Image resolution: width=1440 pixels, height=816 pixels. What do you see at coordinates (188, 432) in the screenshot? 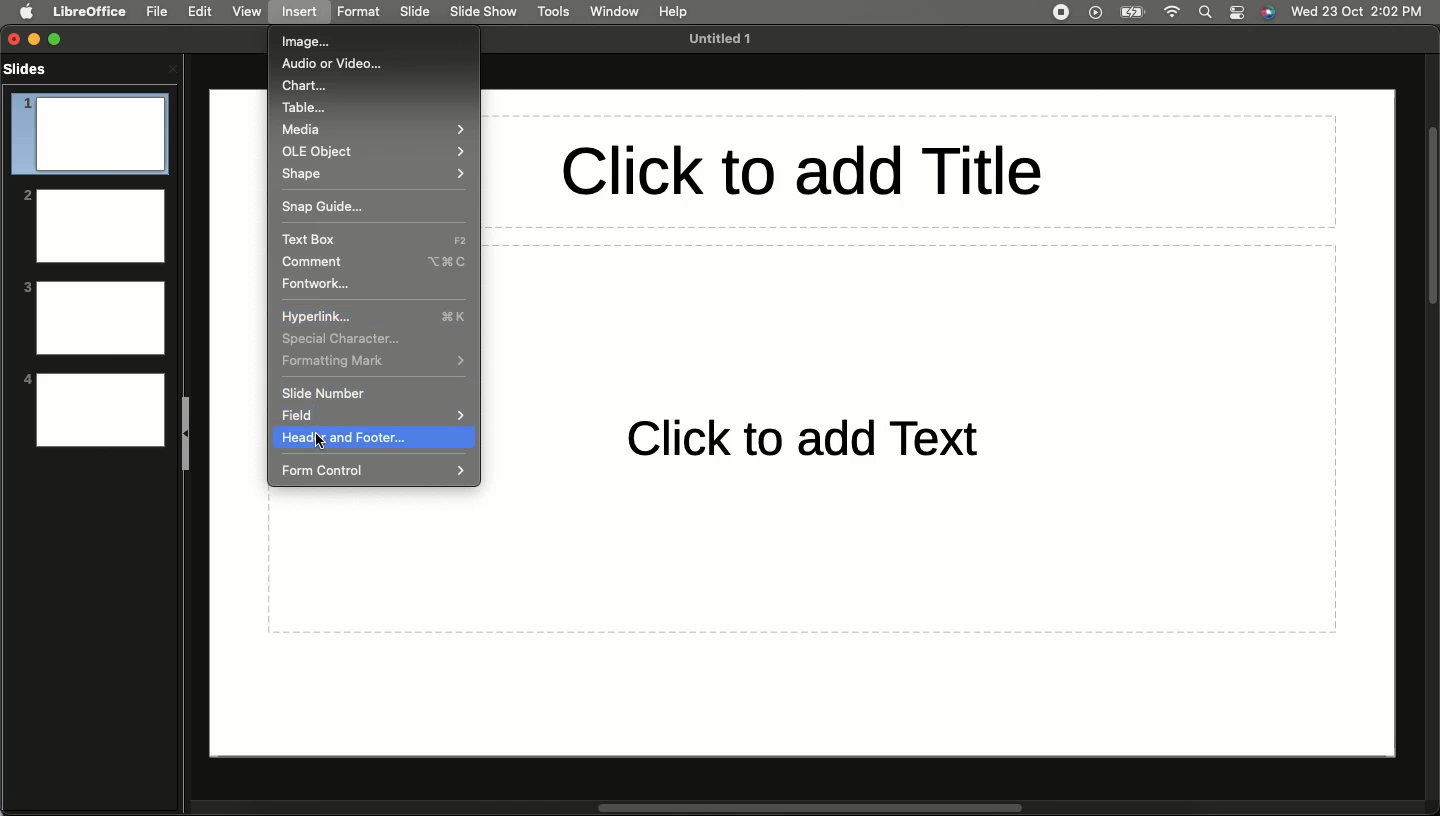
I see `Collapse` at bounding box center [188, 432].